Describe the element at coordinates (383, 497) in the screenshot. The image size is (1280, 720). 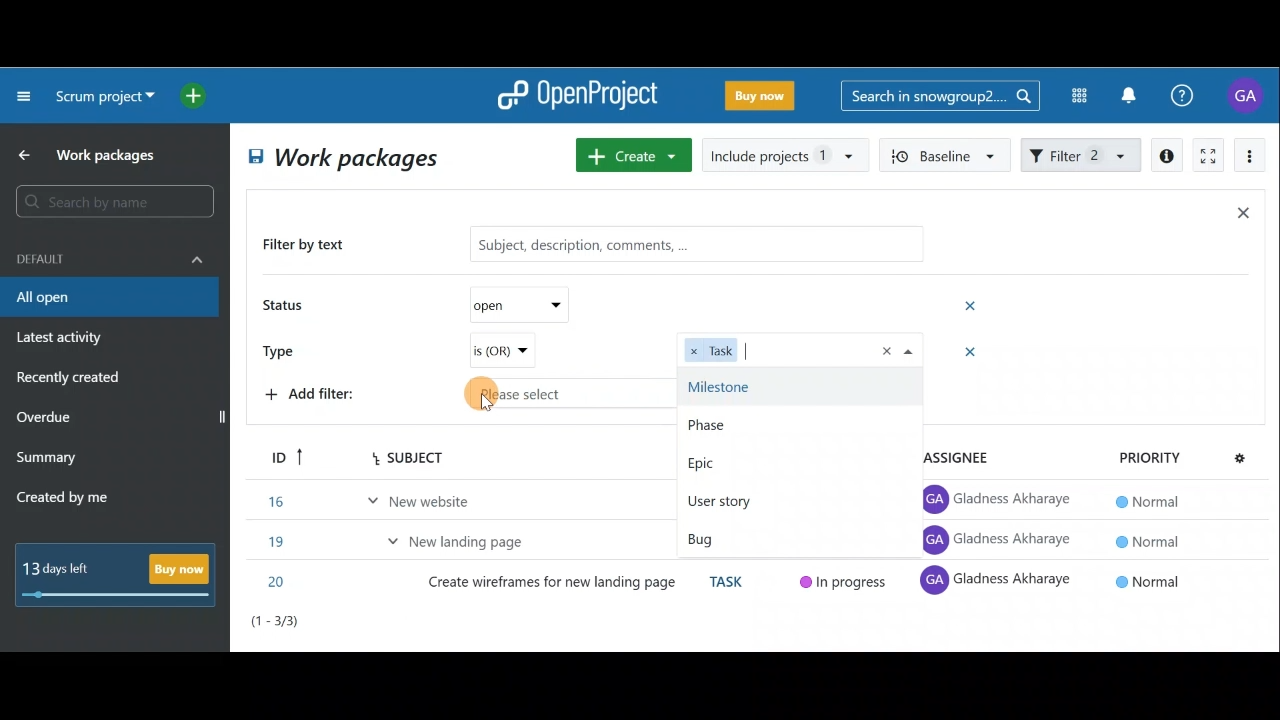
I see `Item 14` at that location.